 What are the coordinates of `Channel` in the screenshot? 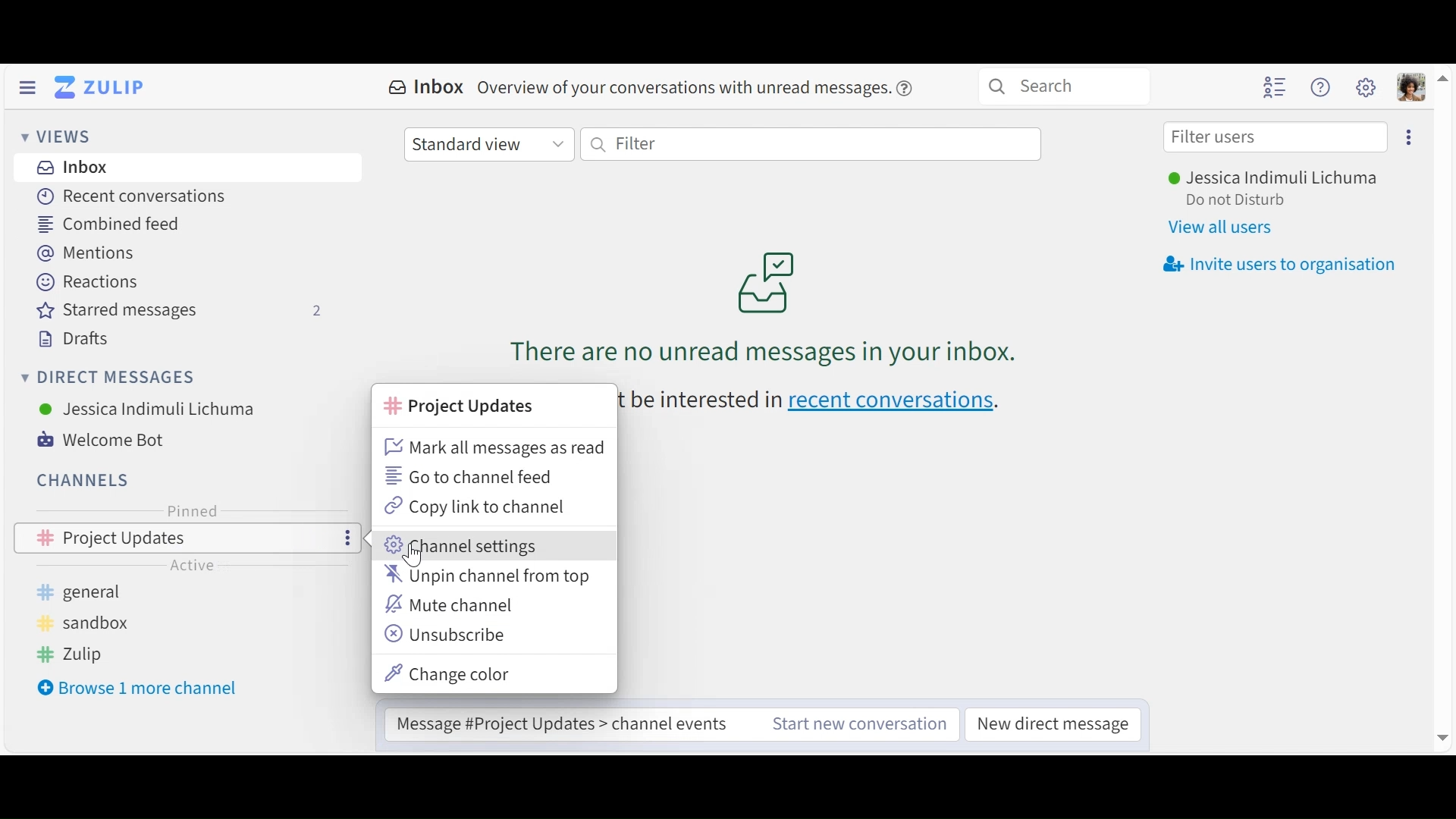 It's located at (188, 538).